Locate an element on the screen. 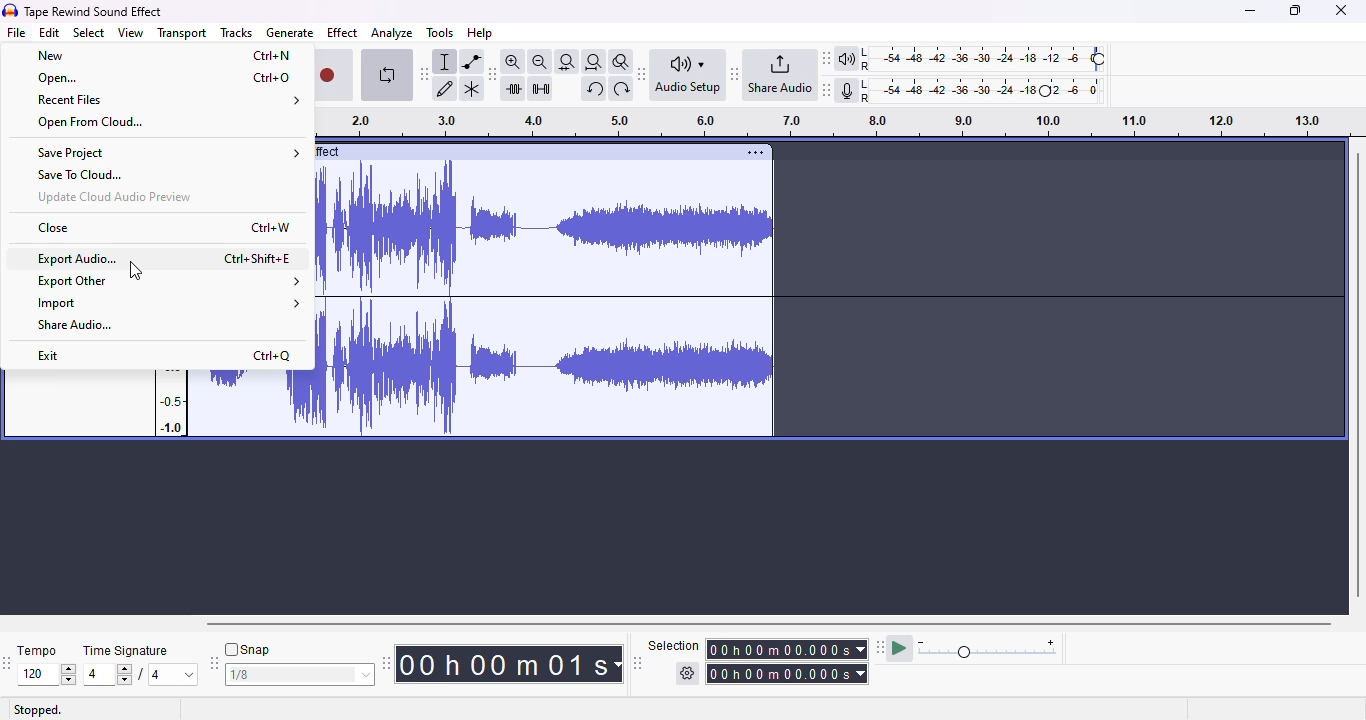  import is located at coordinates (166, 303).